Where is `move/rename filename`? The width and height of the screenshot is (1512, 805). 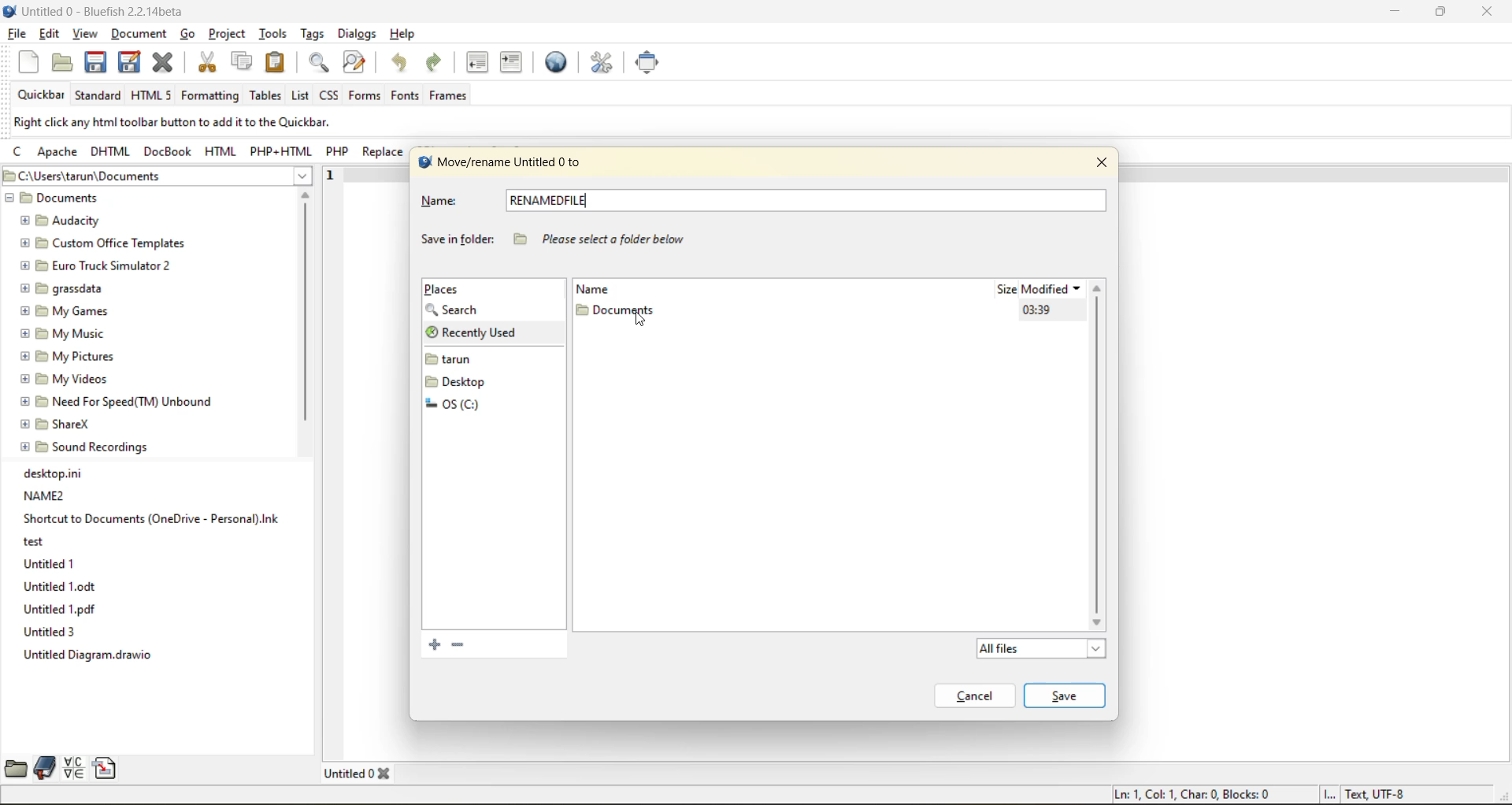 move/rename filename is located at coordinates (513, 164).